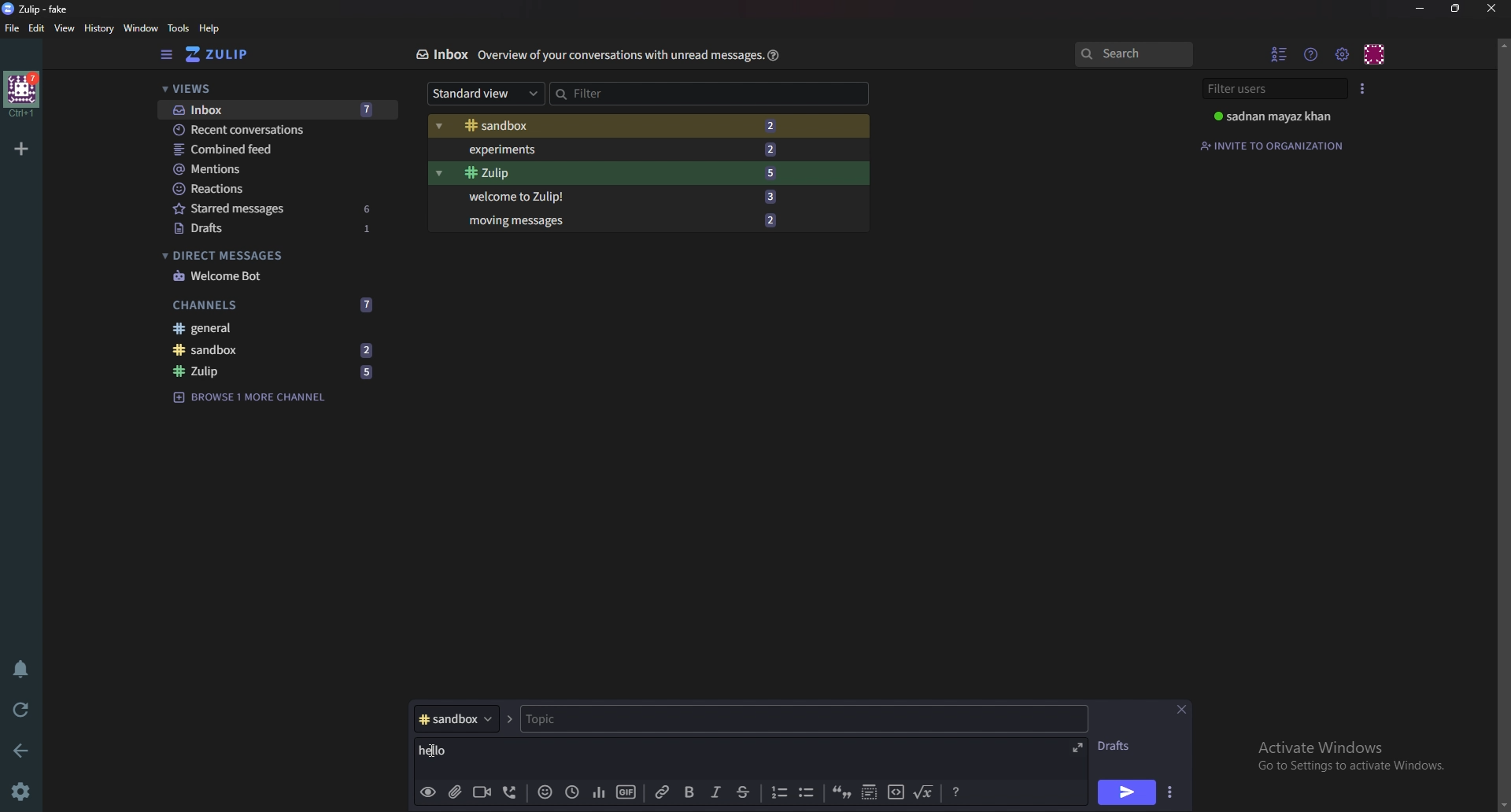 The height and width of the screenshot is (812, 1511). Describe the element at coordinates (486, 92) in the screenshot. I see `Standard view` at that location.